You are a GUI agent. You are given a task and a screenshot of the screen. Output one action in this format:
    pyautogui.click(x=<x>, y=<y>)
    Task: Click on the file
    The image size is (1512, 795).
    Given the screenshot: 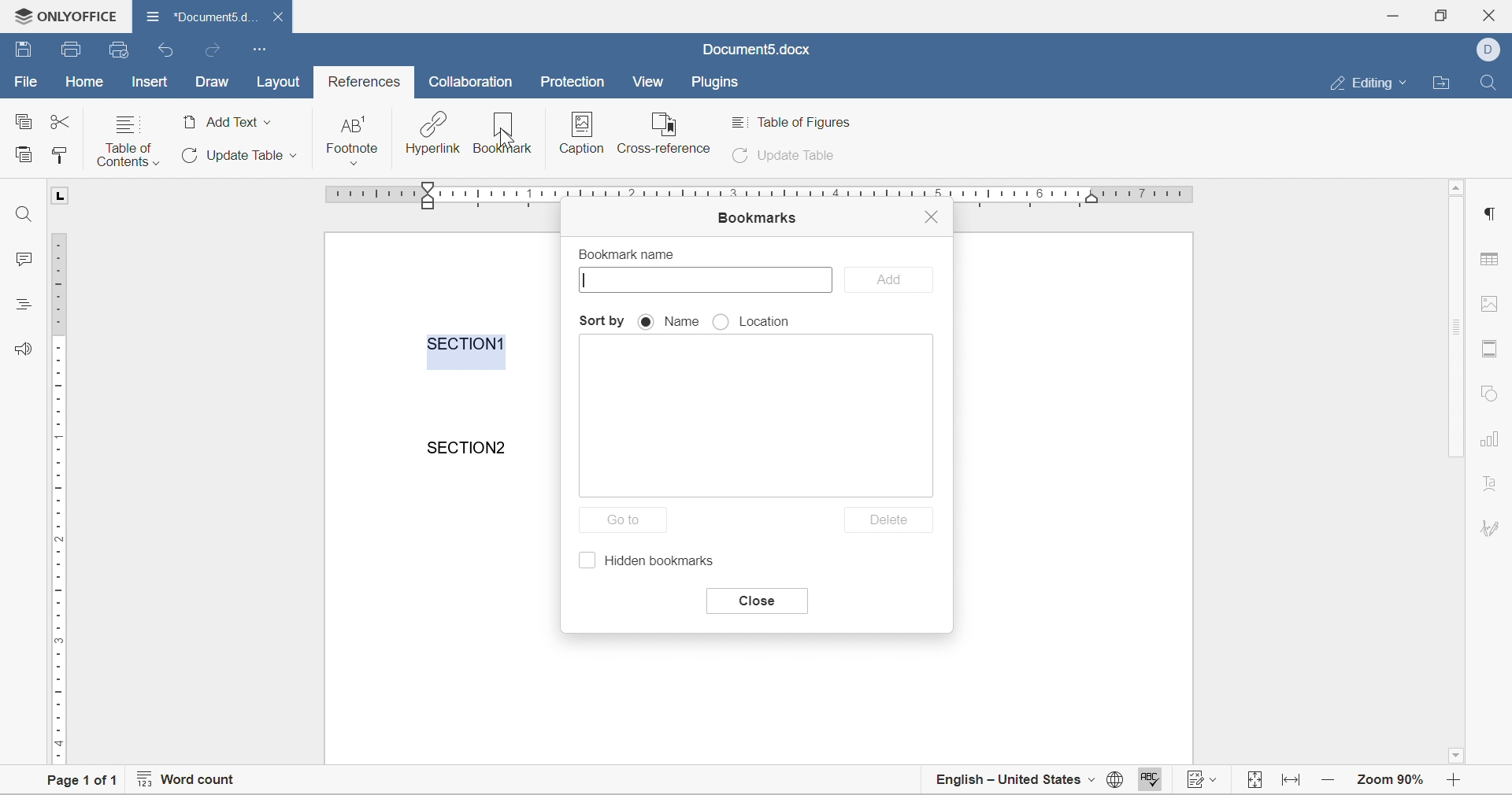 What is the action you would take?
    pyautogui.click(x=24, y=82)
    